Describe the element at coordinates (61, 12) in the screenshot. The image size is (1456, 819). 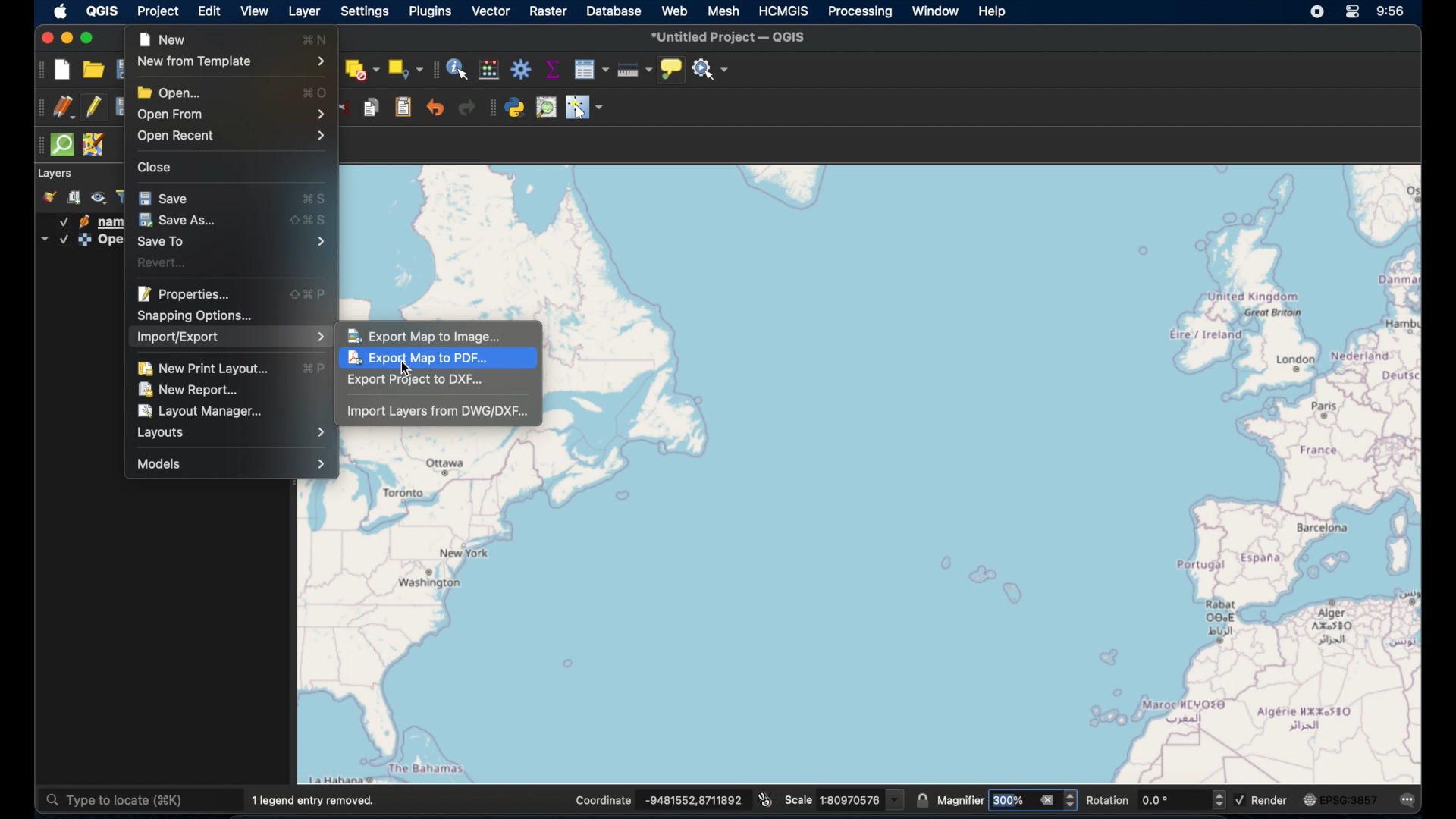
I see `apple icon` at that location.